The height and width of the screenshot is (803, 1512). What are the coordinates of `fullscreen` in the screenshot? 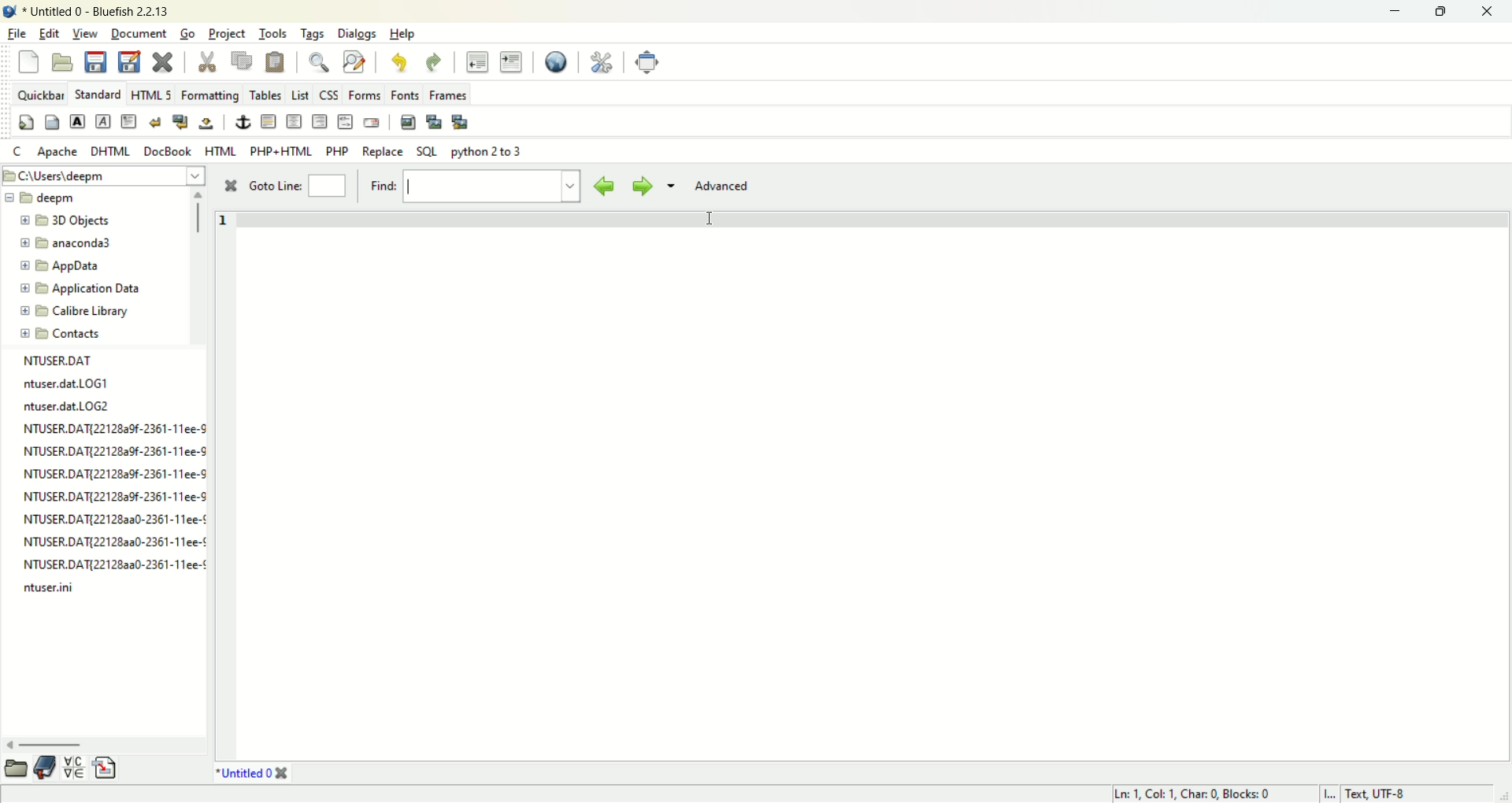 It's located at (647, 61).